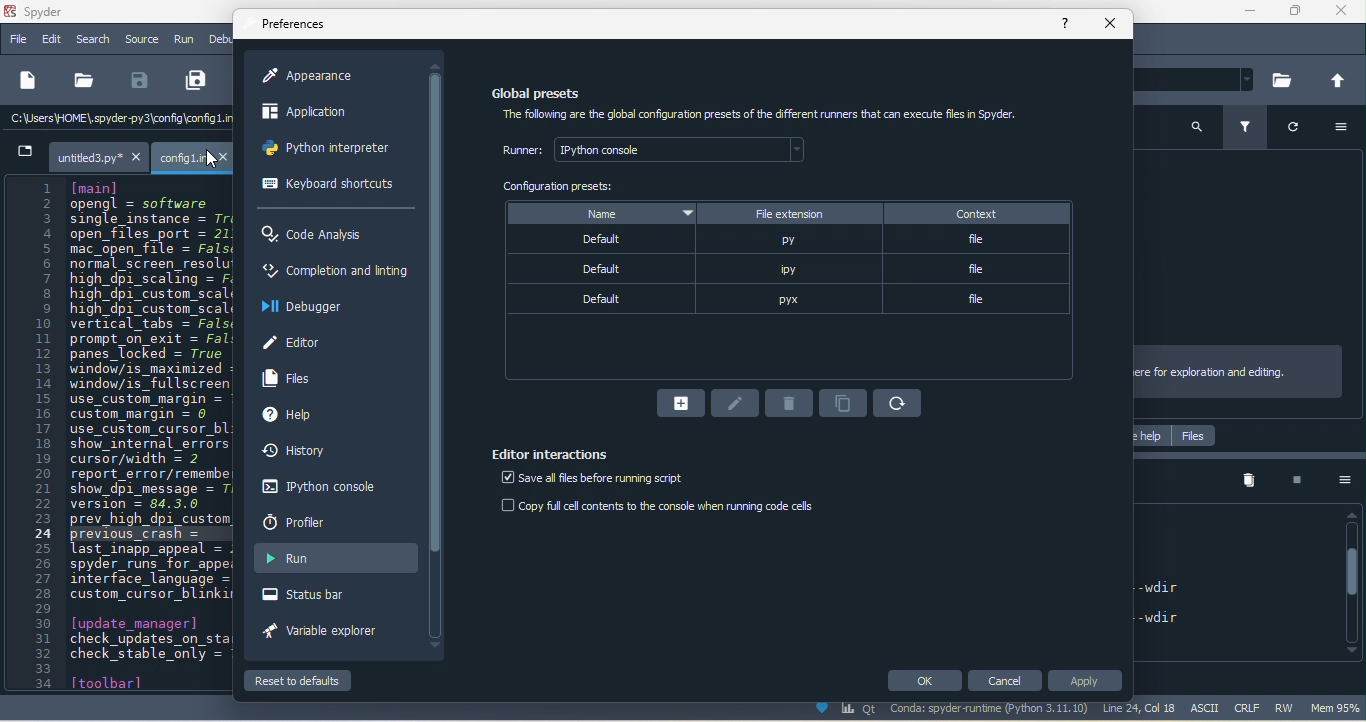 This screenshot has height=722, width=1366. I want to click on refresh, so click(1294, 131).